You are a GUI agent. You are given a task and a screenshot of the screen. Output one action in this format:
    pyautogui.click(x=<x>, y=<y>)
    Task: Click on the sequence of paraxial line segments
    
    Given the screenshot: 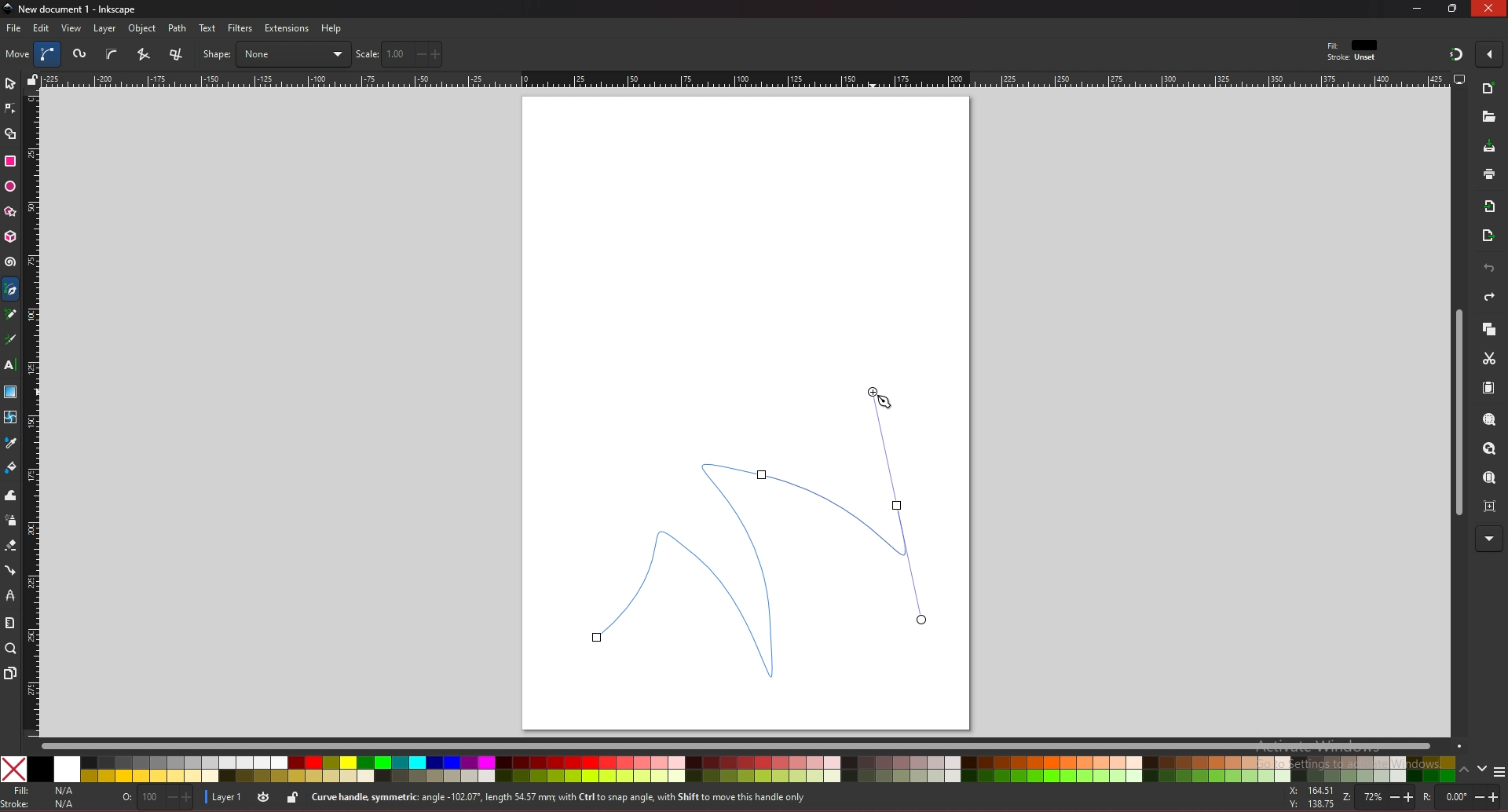 What is the action you would take?
    pyautogui.click(x=178, y=55)
    